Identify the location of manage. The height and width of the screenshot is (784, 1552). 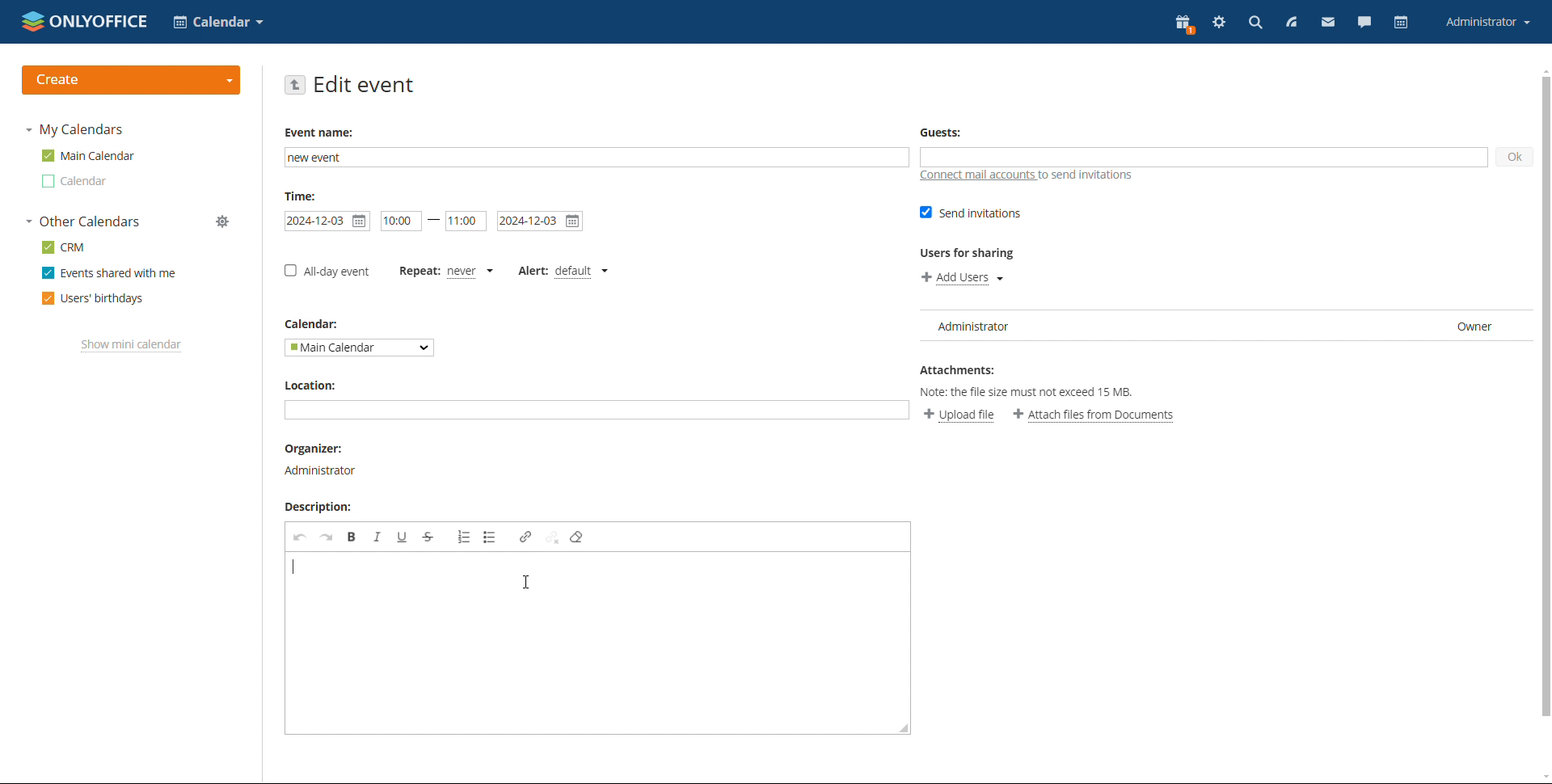
(222, 221).